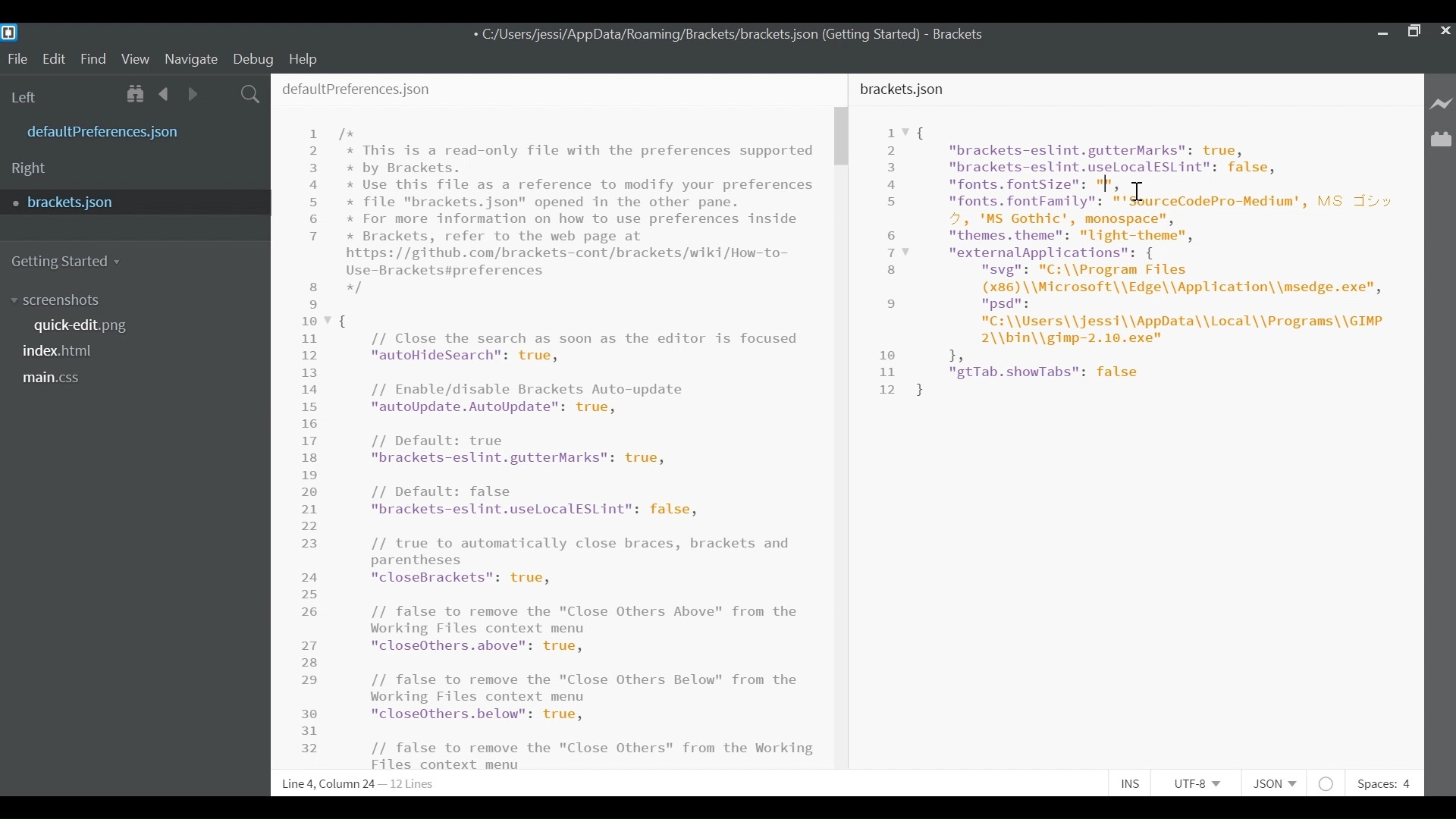 This screenshot has width=1456, height=819. Describe the element at coordinates (252, 96) in the screenshot. I see `Find in Files` at that location.